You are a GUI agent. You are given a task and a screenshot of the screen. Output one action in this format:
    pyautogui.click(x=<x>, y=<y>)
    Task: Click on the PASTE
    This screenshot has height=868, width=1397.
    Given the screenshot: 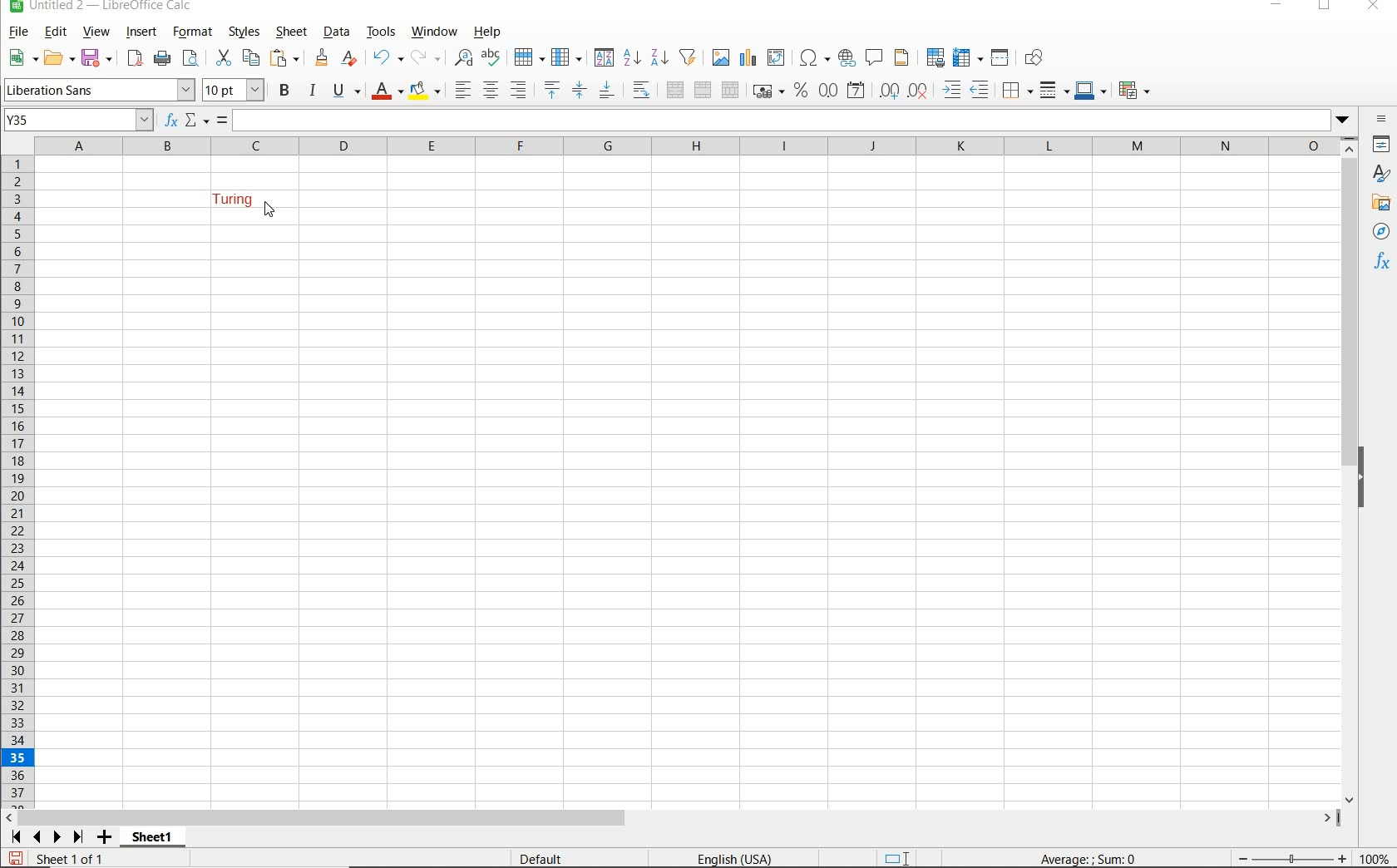 What is the action you would take?
    pyautogui.click(x=193, y=58)
    